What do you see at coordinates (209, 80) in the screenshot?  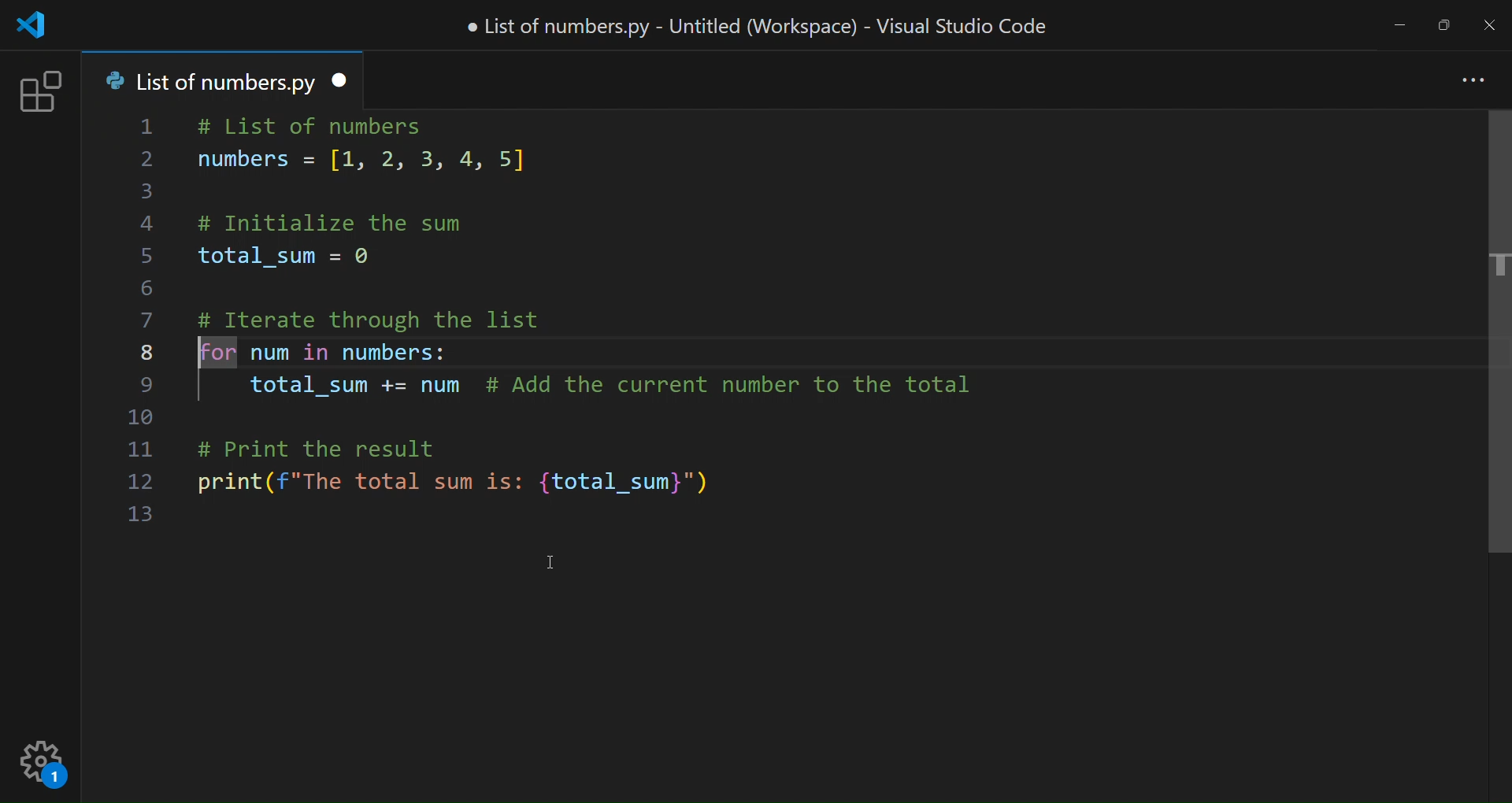 I see `tab name` at bounding box center [209, 80].